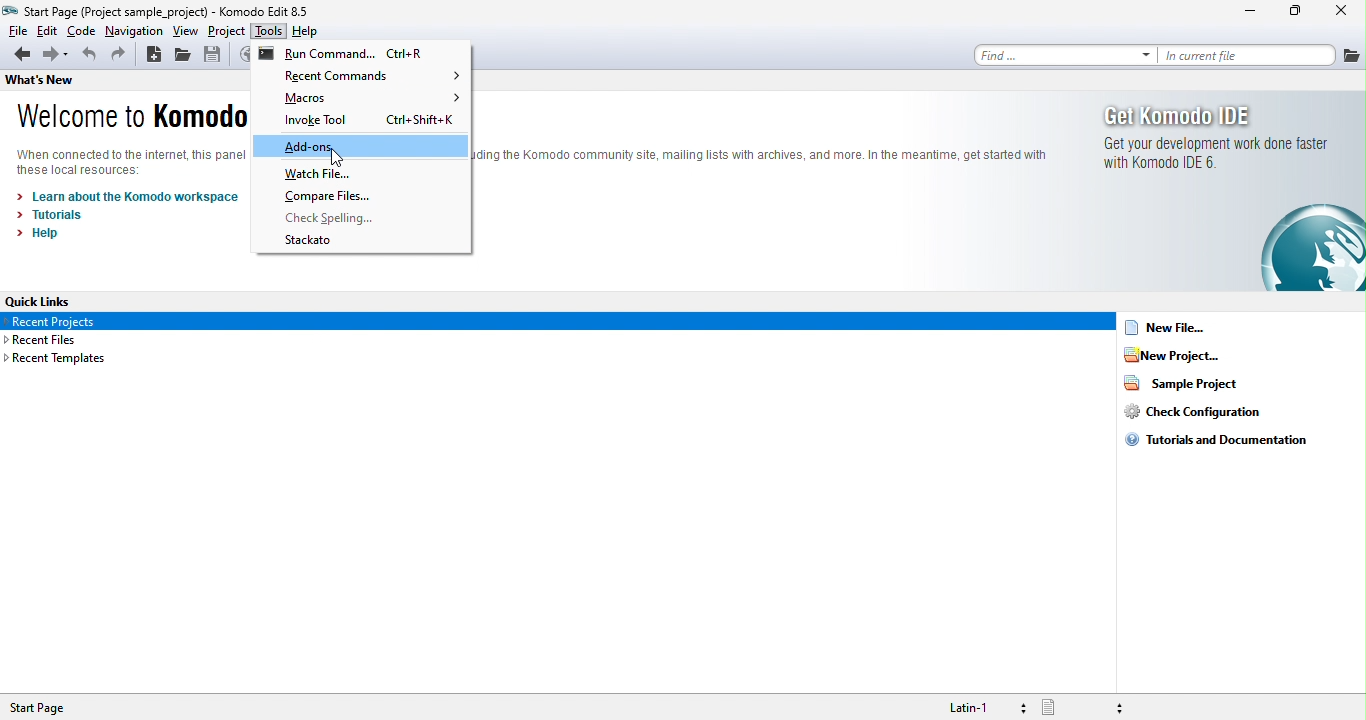 Image resolution: width=1366 pixels, height=720 pixels. Describe the element at coordinates (561, 322) in the screenshot. I see `select option` at that location.